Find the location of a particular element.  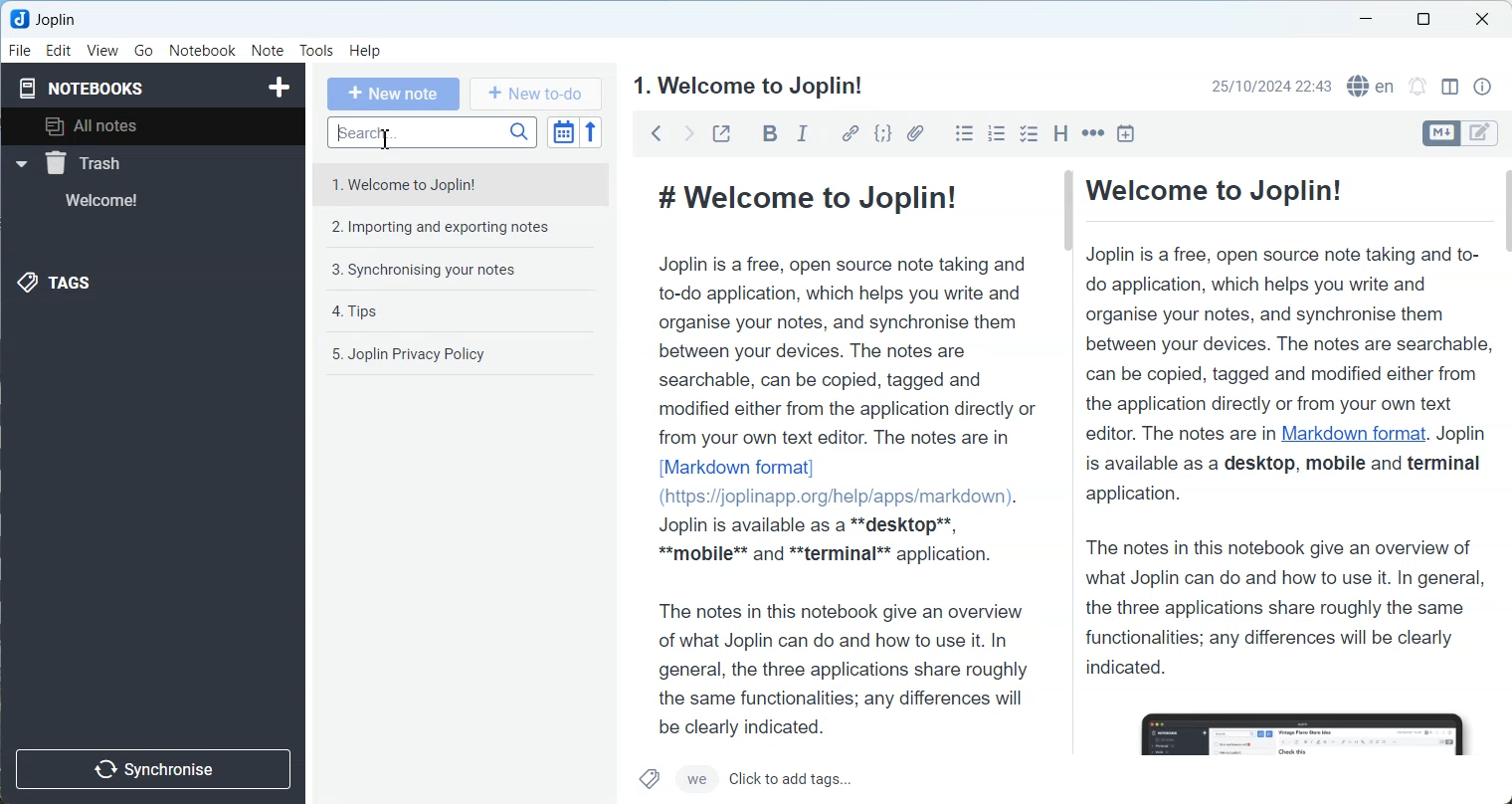

Search notes is located at coordinates (434, 133).